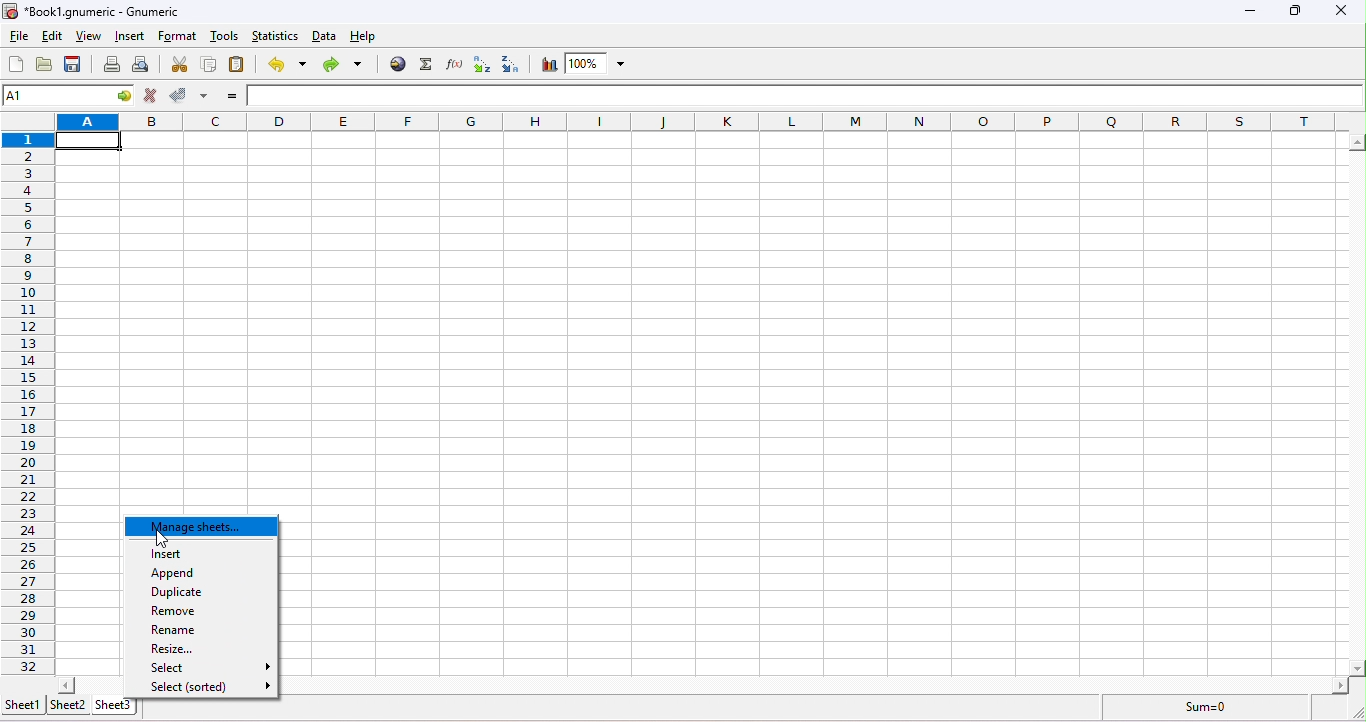 This screenshot has width=1366, height=722. What do you see at coordinates (55, 95) in the screenshot?
I see `cell name A1` at bounding box center [55, 95].